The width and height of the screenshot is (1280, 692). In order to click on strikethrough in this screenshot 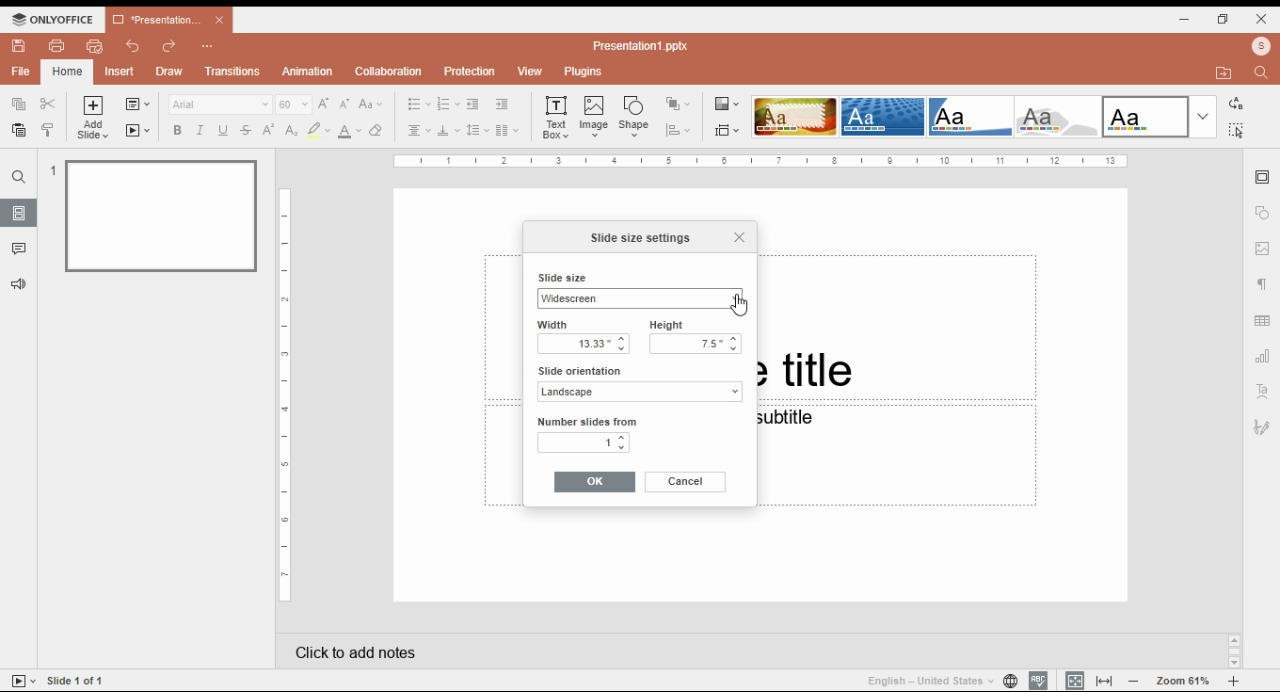, I will do `click(246, 130)`.